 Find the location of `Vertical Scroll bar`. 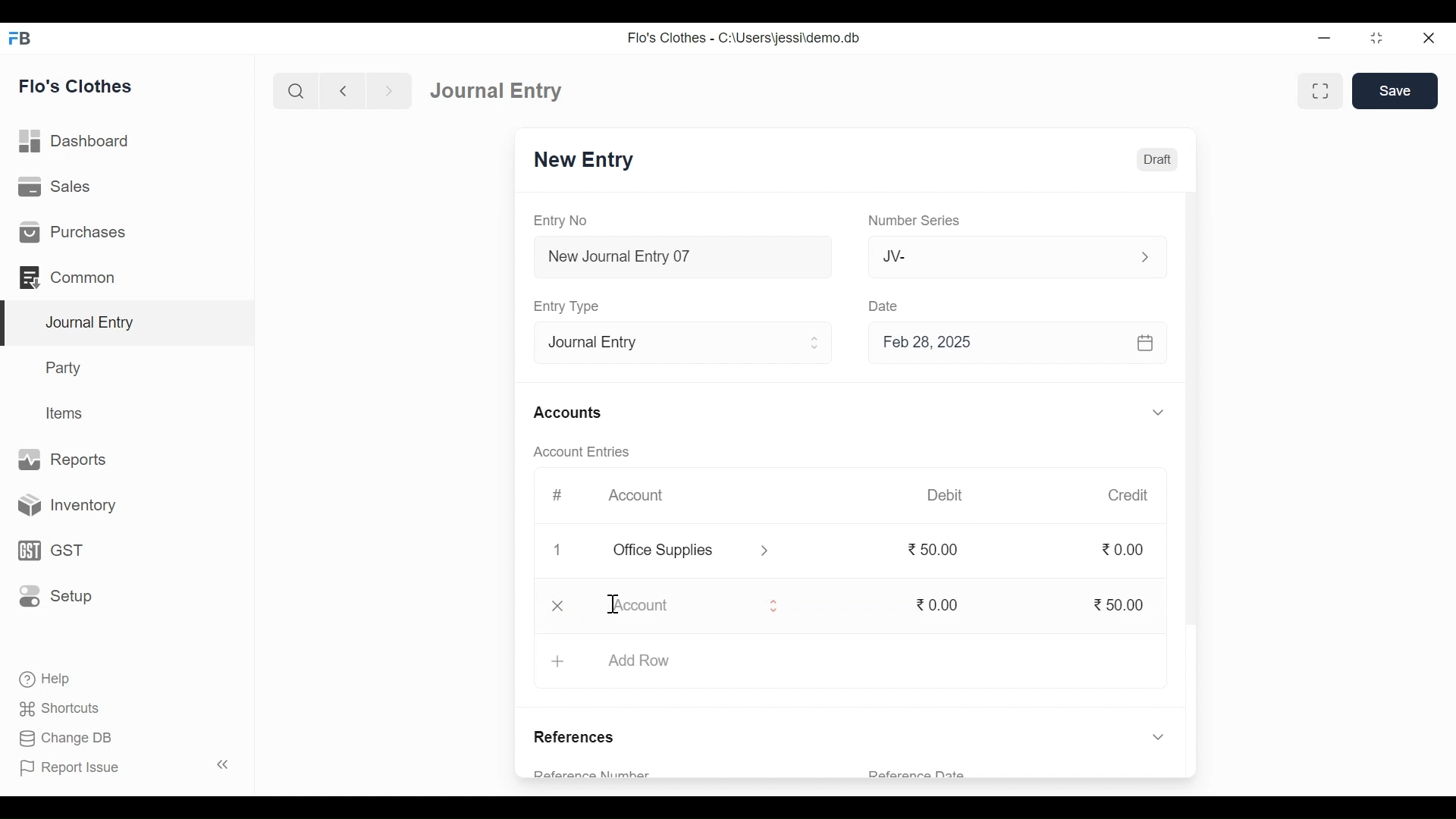

Vertical Scroll bar is located at coordinates (1193, 428).